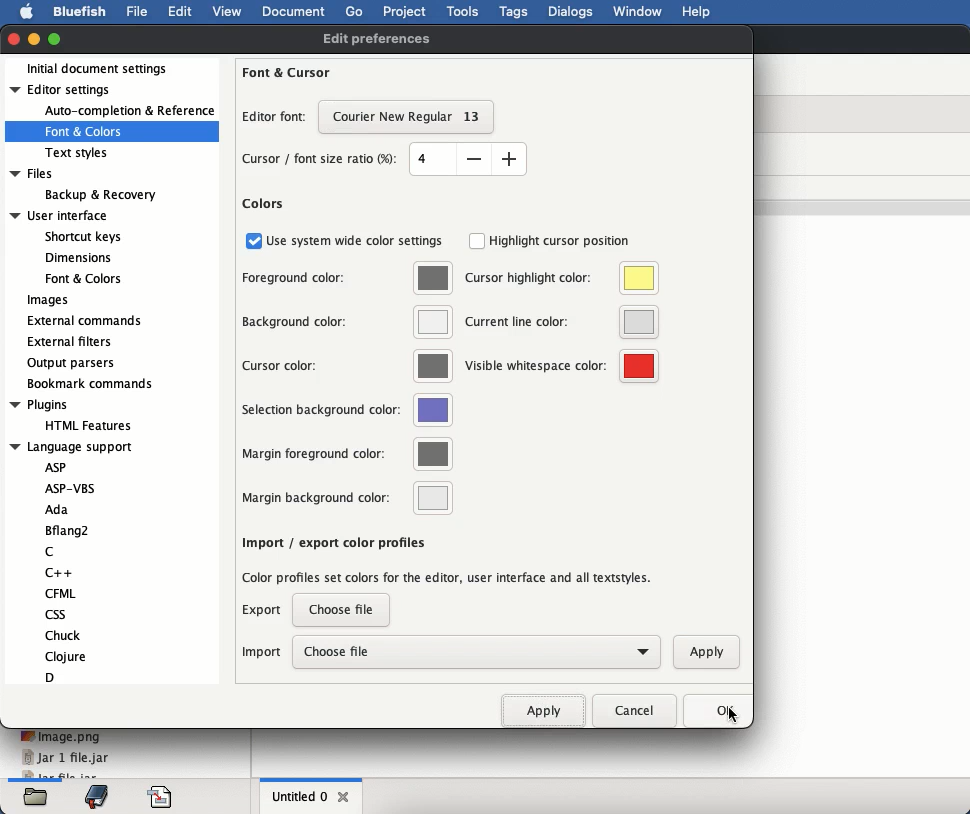 The image size is (970, 814). Describe the element at coordinates (383, 159) in the screenshot. I see `cursor font ratio` at that location.